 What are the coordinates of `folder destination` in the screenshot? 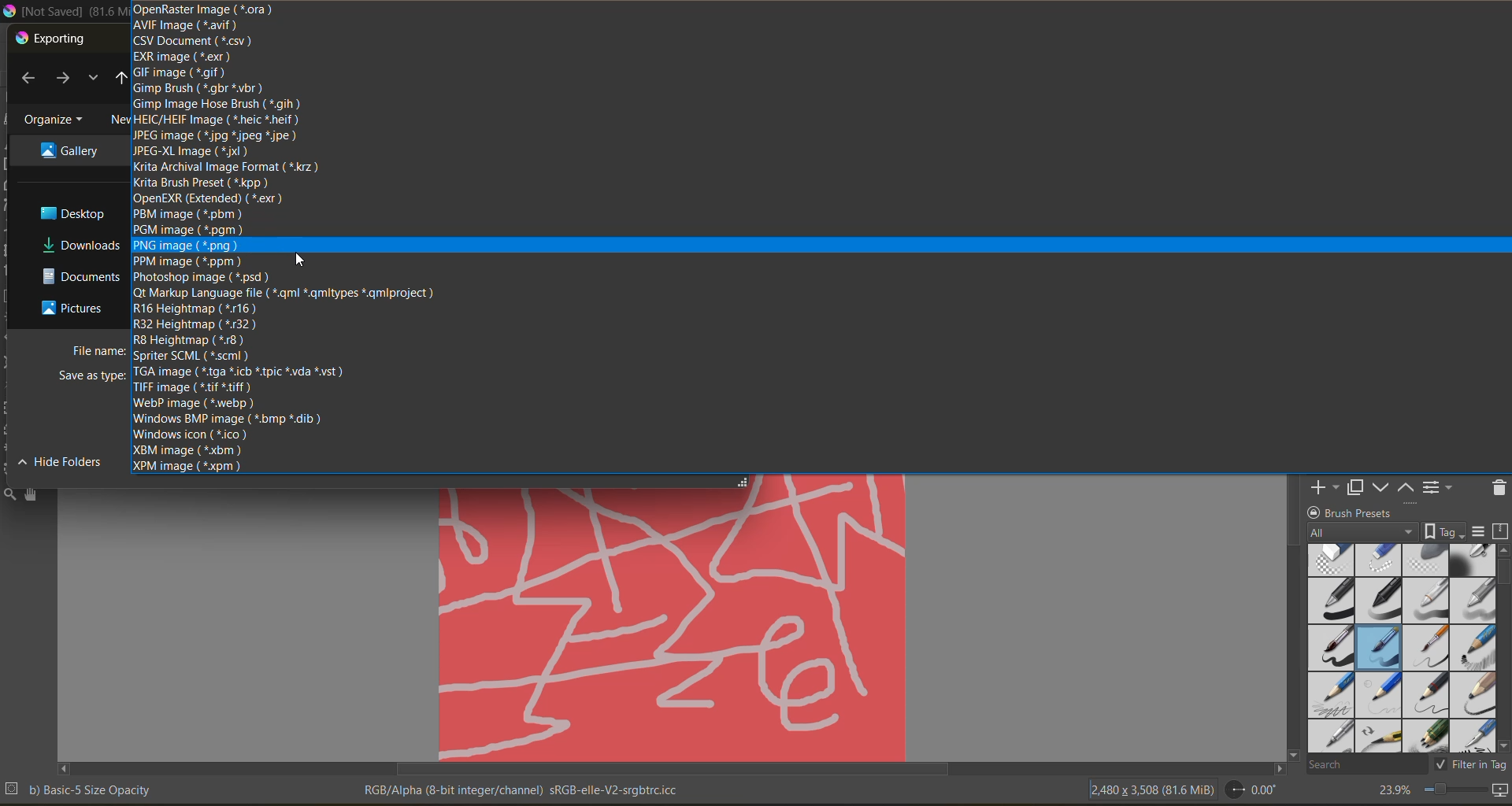 It's located at (79, 213).